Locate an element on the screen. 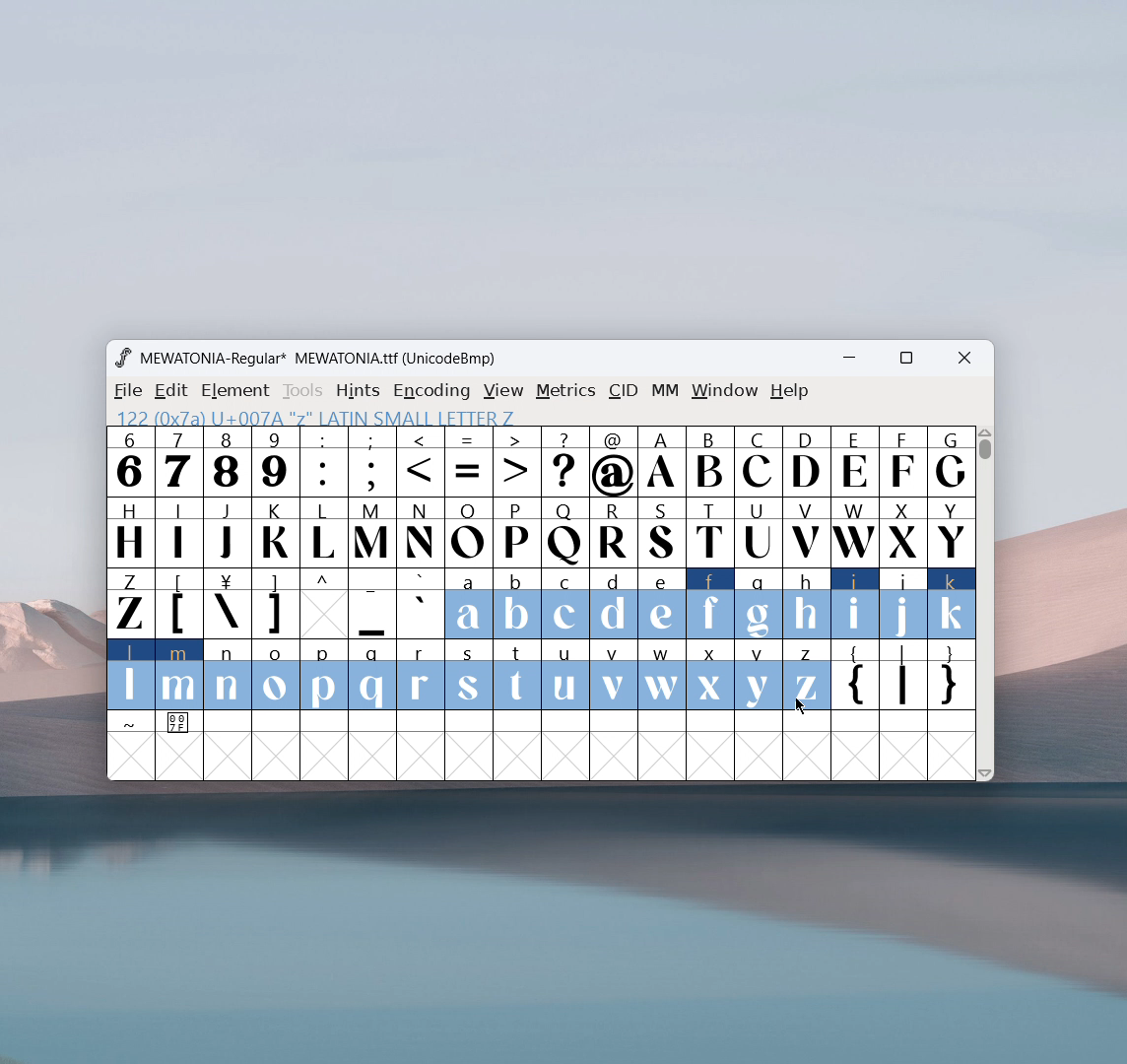 The image size is (1127, 1064). y is located at coordinates (760, 676).